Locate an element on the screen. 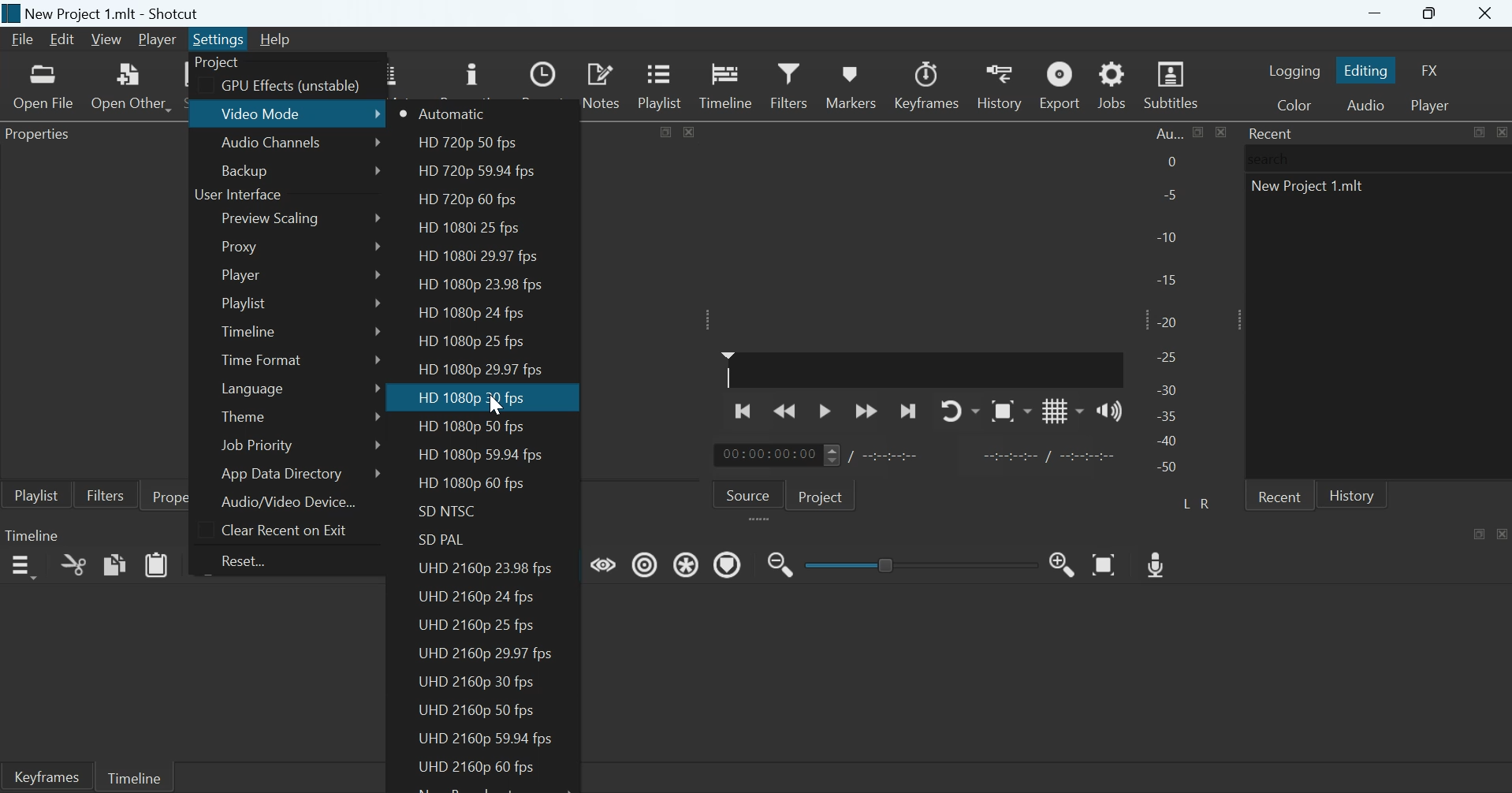 Image resolution: width=1512 pixels, height=793 pixels. Help is located at coordinates (274, 39).